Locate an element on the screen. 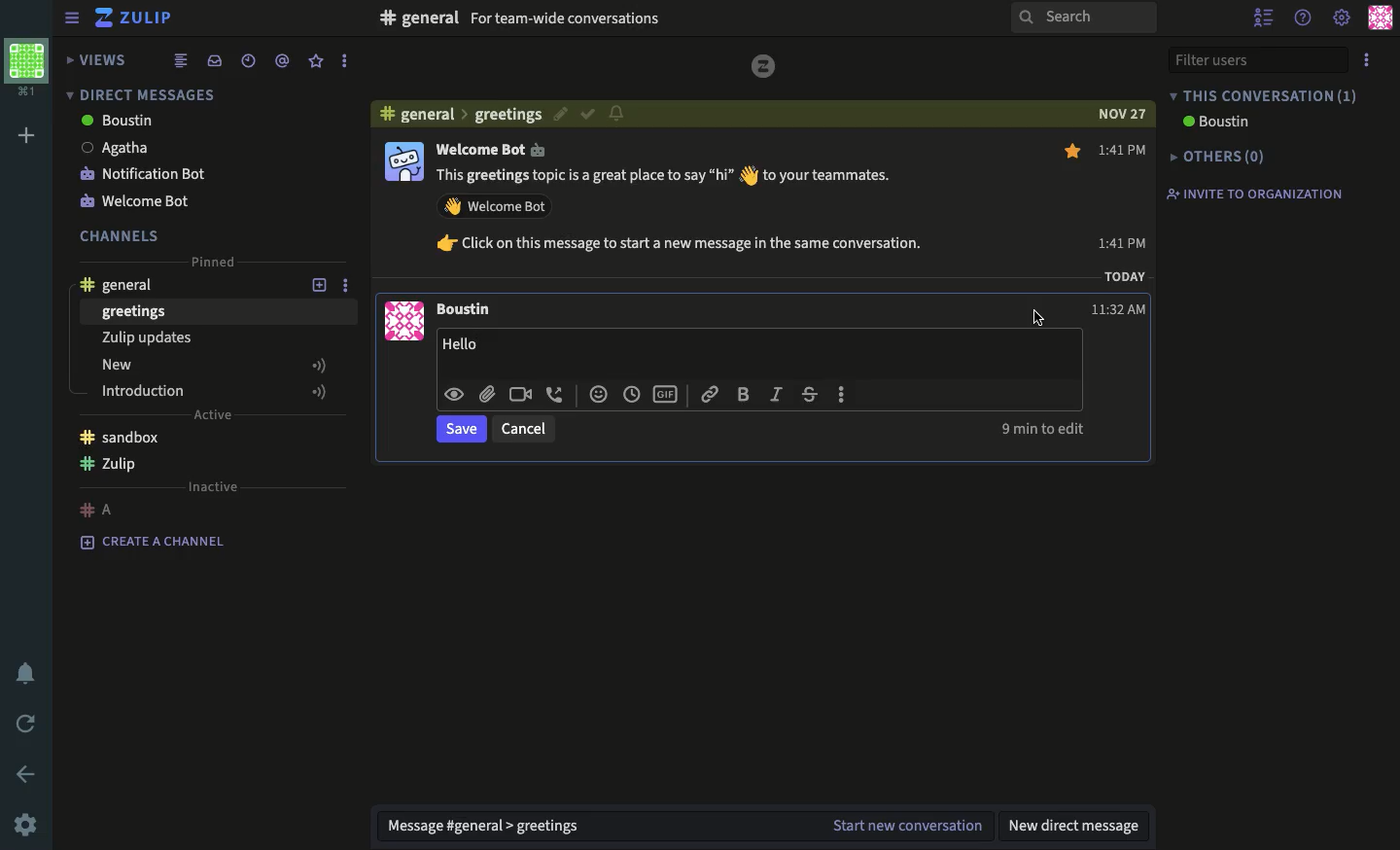 This screenshot has height=850, width=1400. hide user list is located at coordinates (1263, 17).